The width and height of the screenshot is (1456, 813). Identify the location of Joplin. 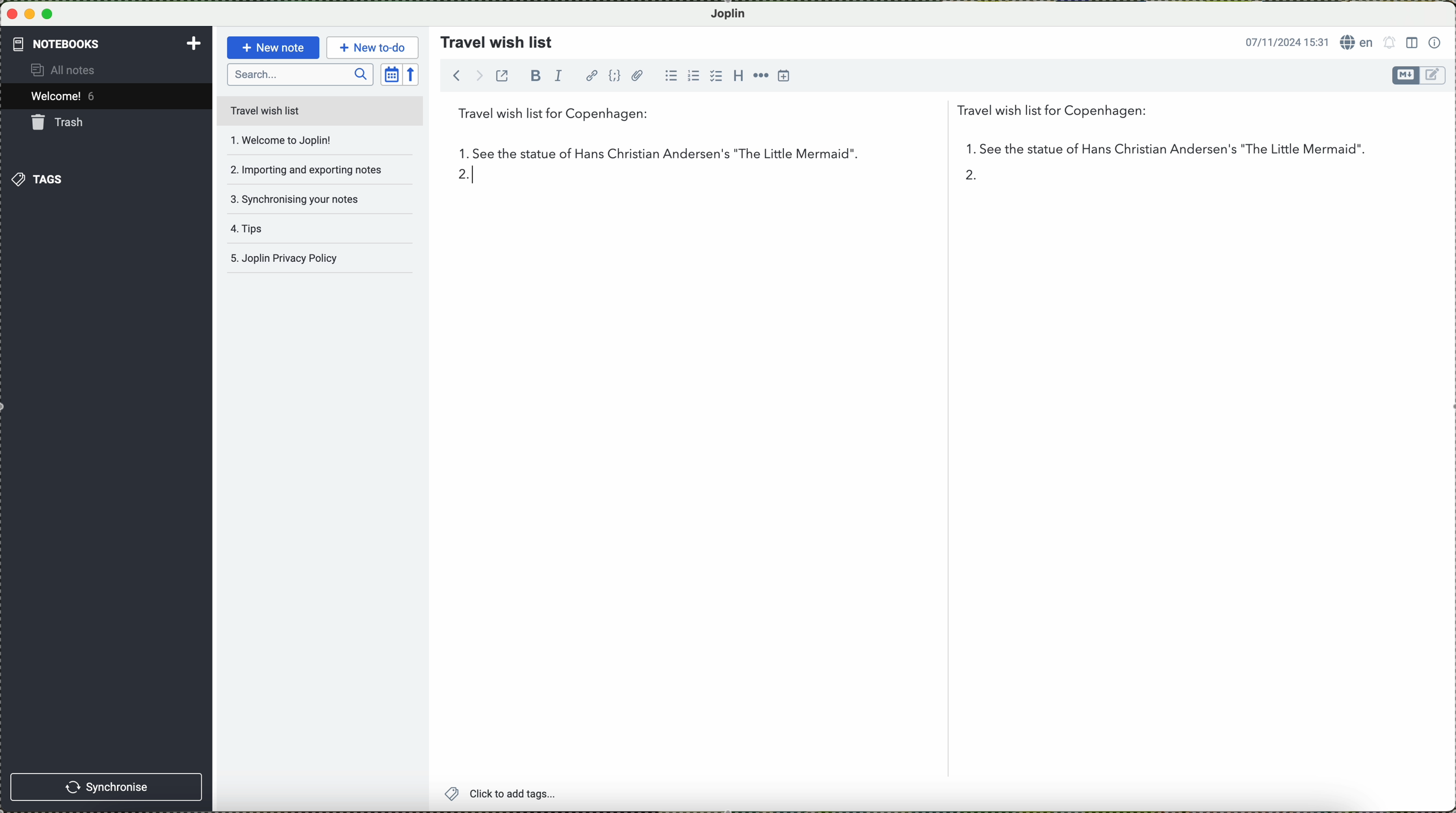
(734, 13).